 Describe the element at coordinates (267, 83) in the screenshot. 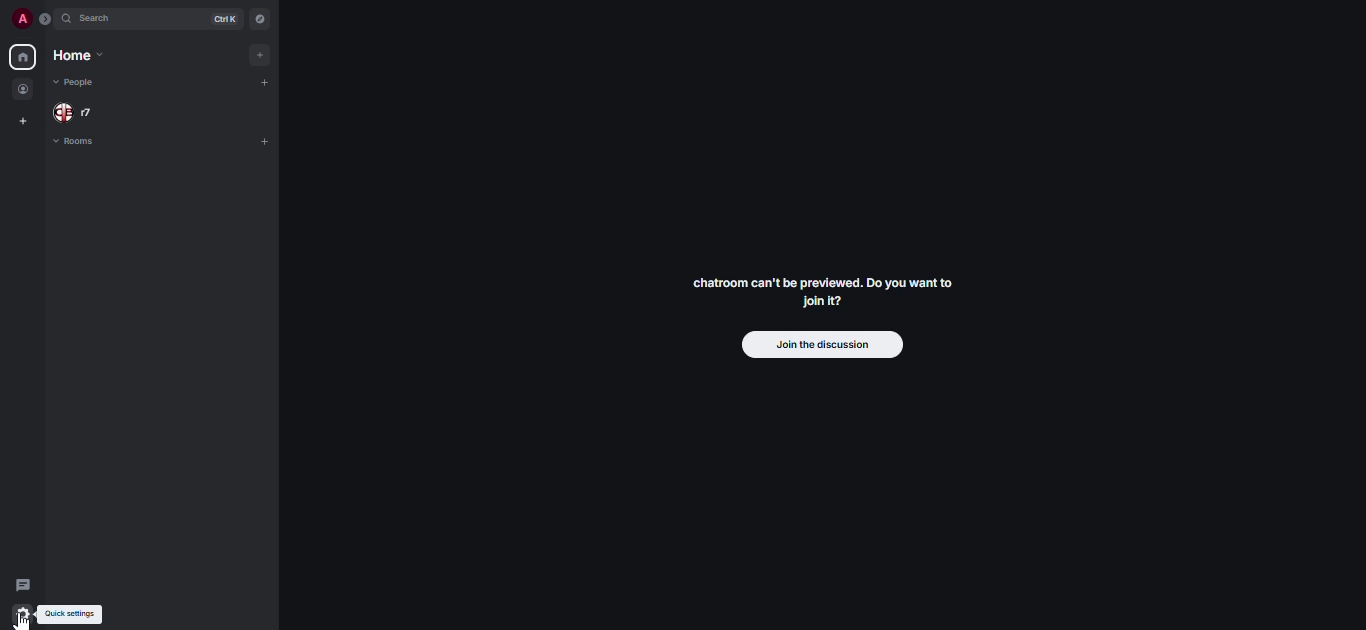

I see `add` at that location.